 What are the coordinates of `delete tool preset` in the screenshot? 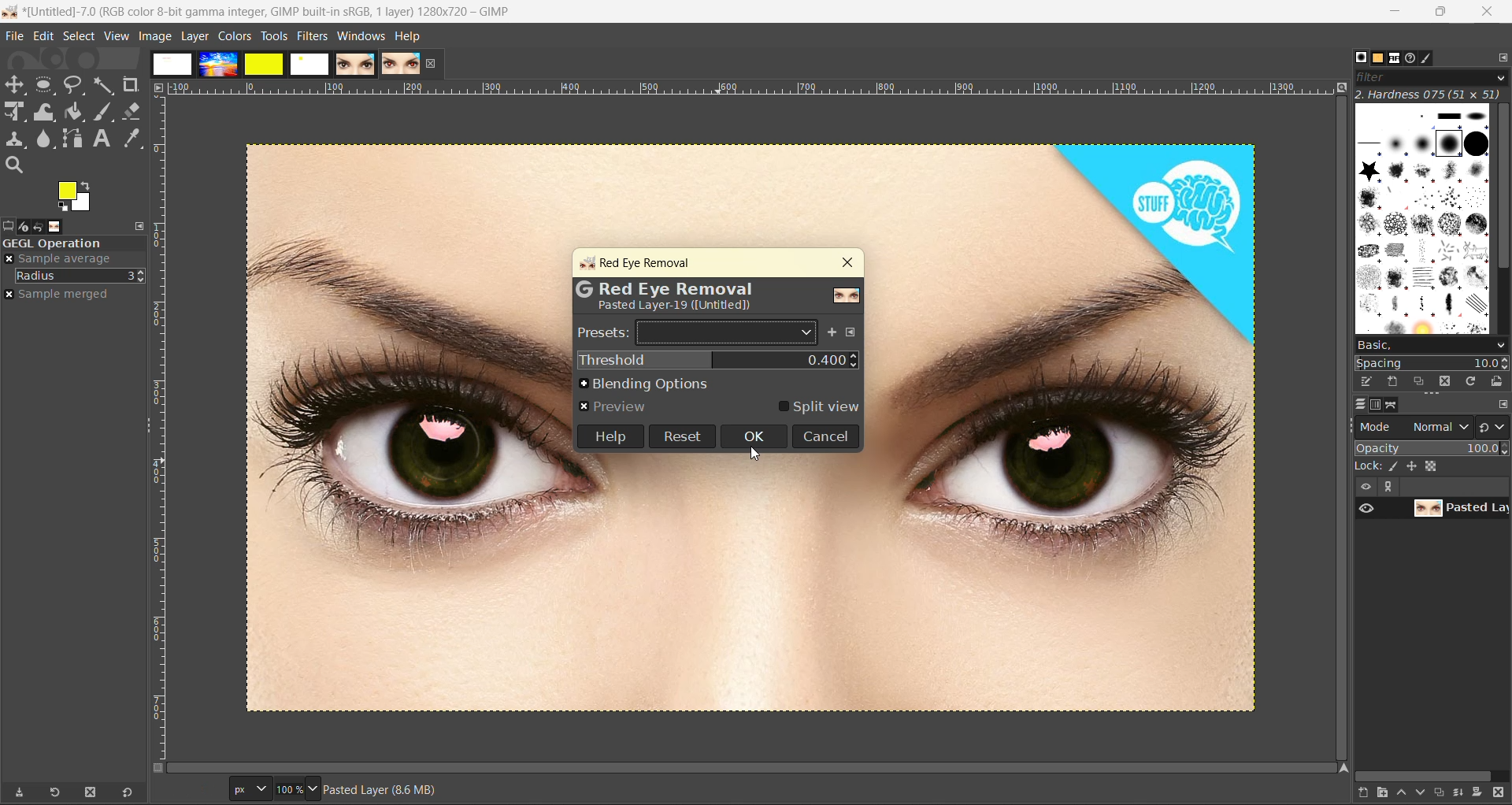 It's located at (92, 793).